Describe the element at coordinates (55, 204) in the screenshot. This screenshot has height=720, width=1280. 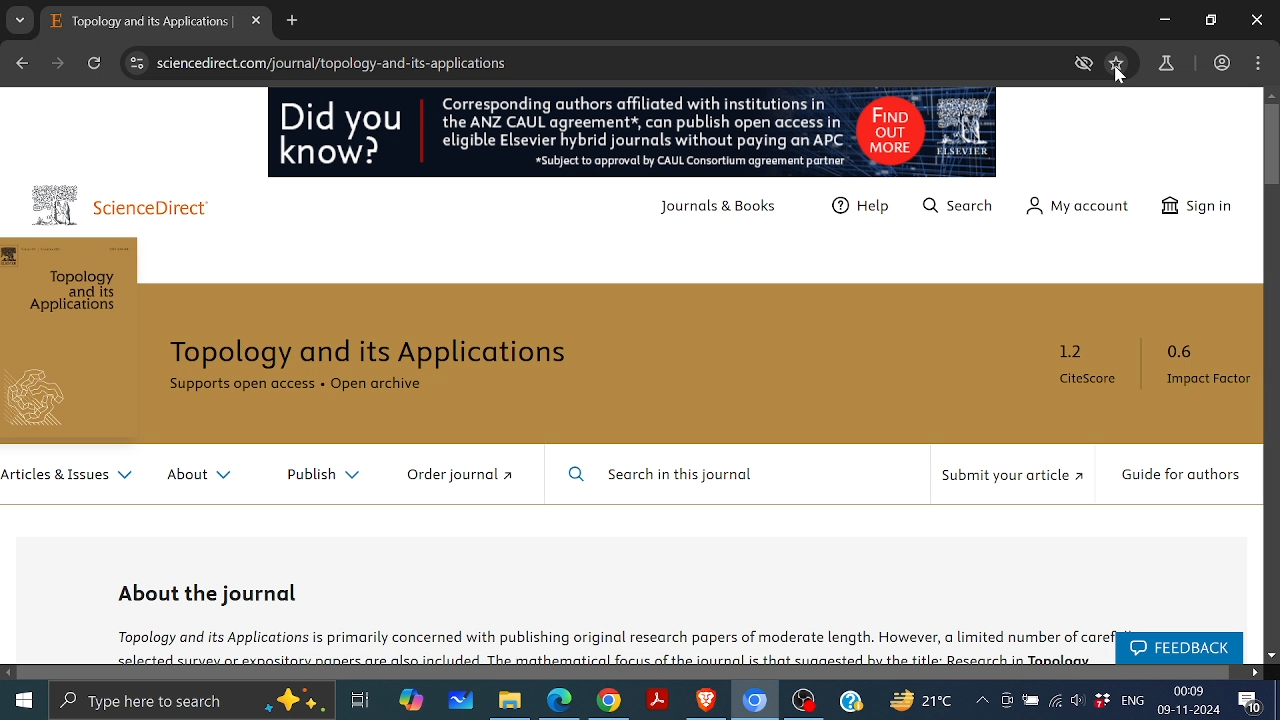
I see `logo` at that location.